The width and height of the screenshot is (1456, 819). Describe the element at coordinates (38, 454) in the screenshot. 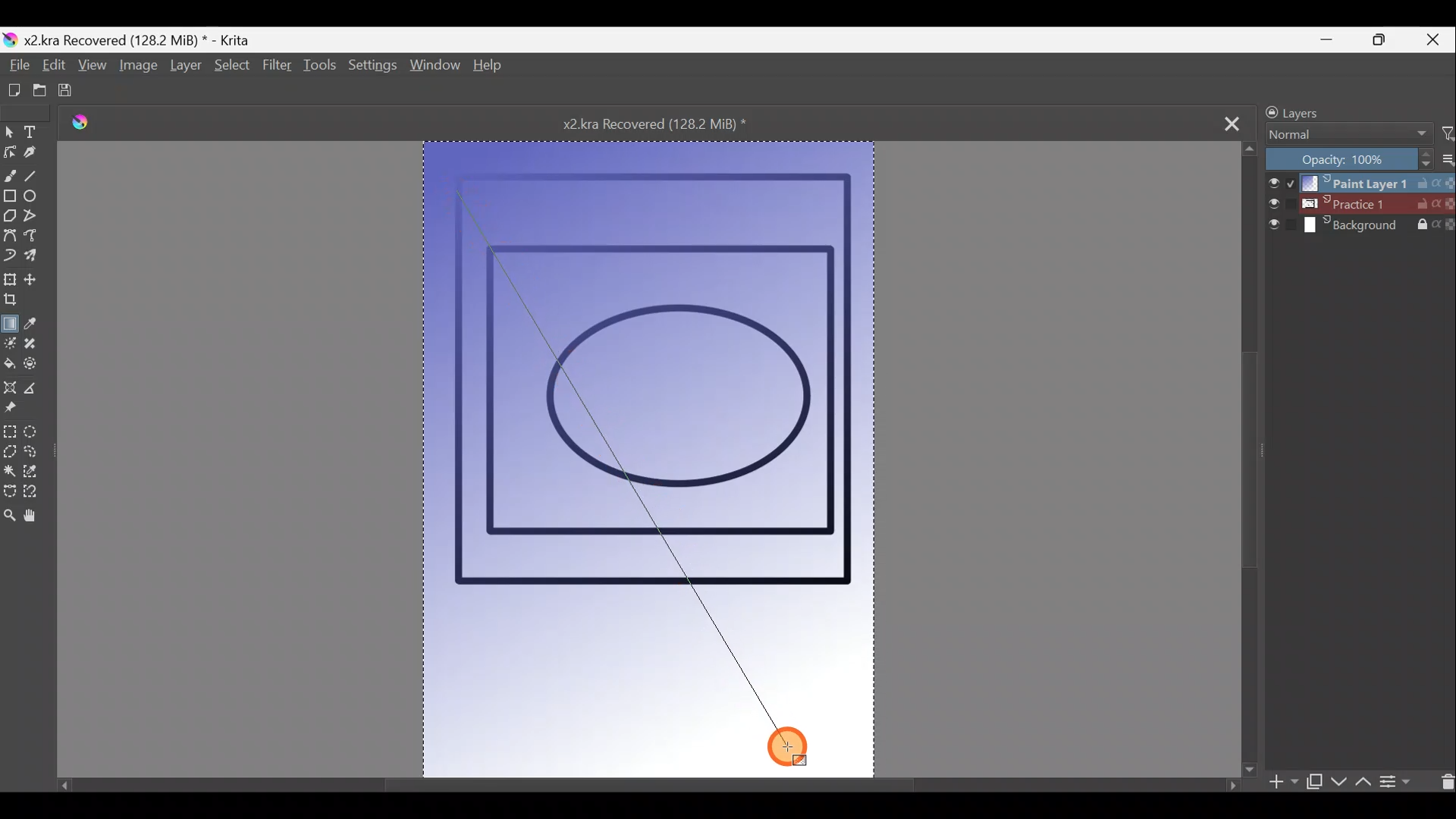

I see `Freehand selection tool` at that location.